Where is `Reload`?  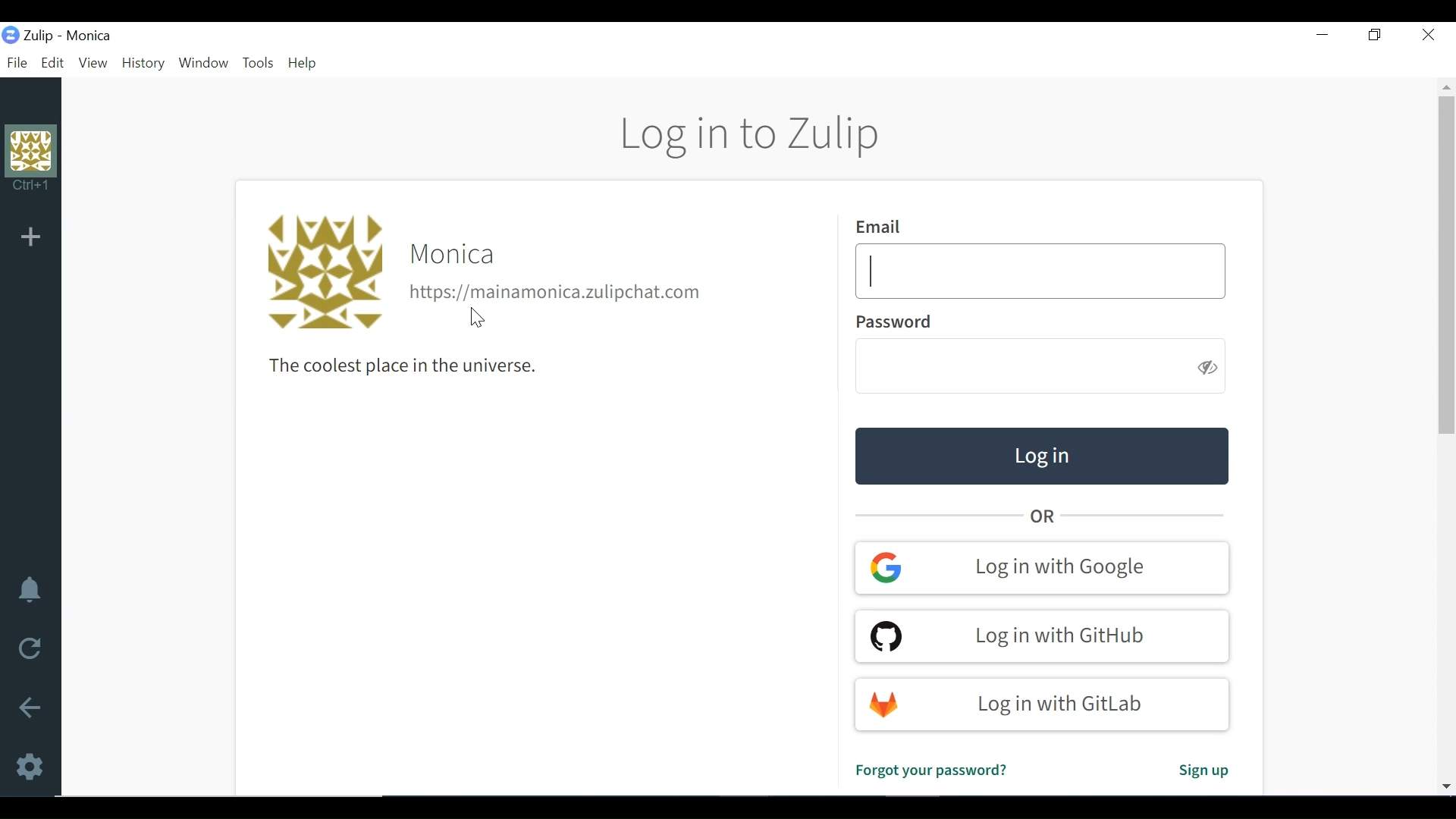
Reload is located at coordinates (25, 649).